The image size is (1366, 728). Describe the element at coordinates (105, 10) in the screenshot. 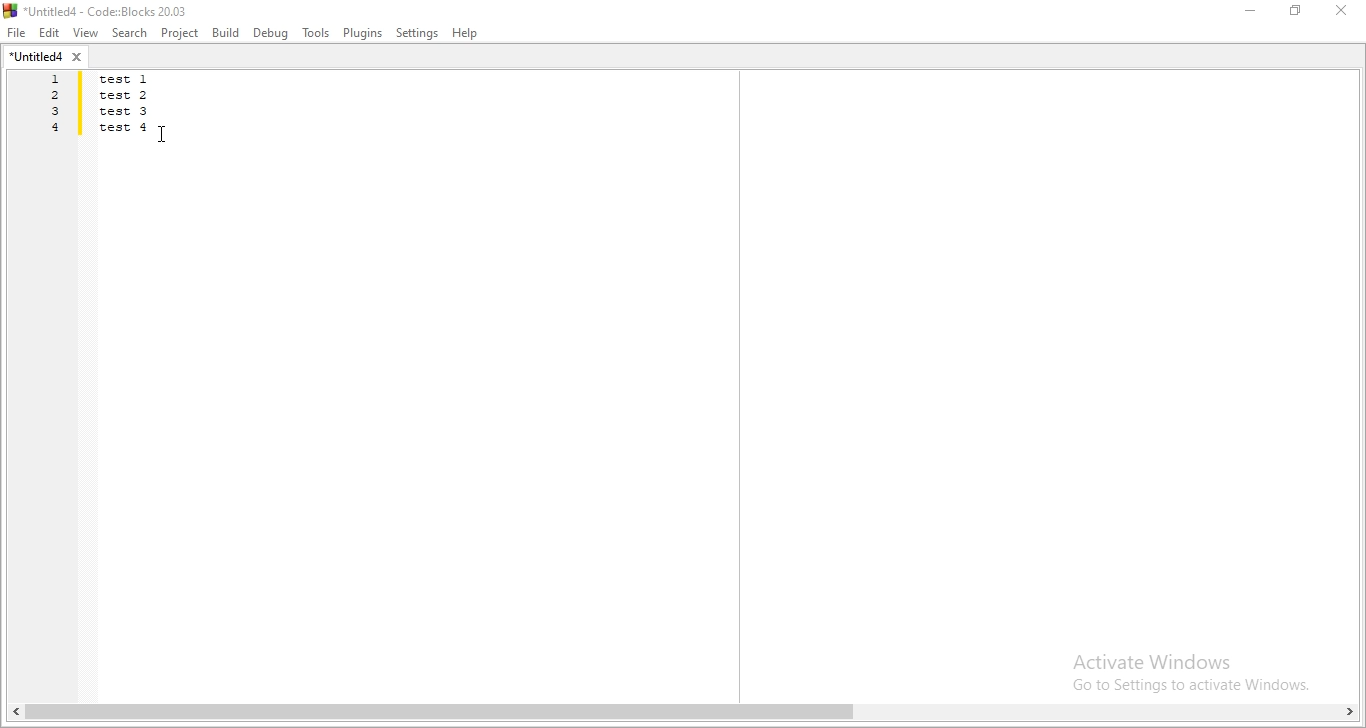

I see `title bar` at that location.